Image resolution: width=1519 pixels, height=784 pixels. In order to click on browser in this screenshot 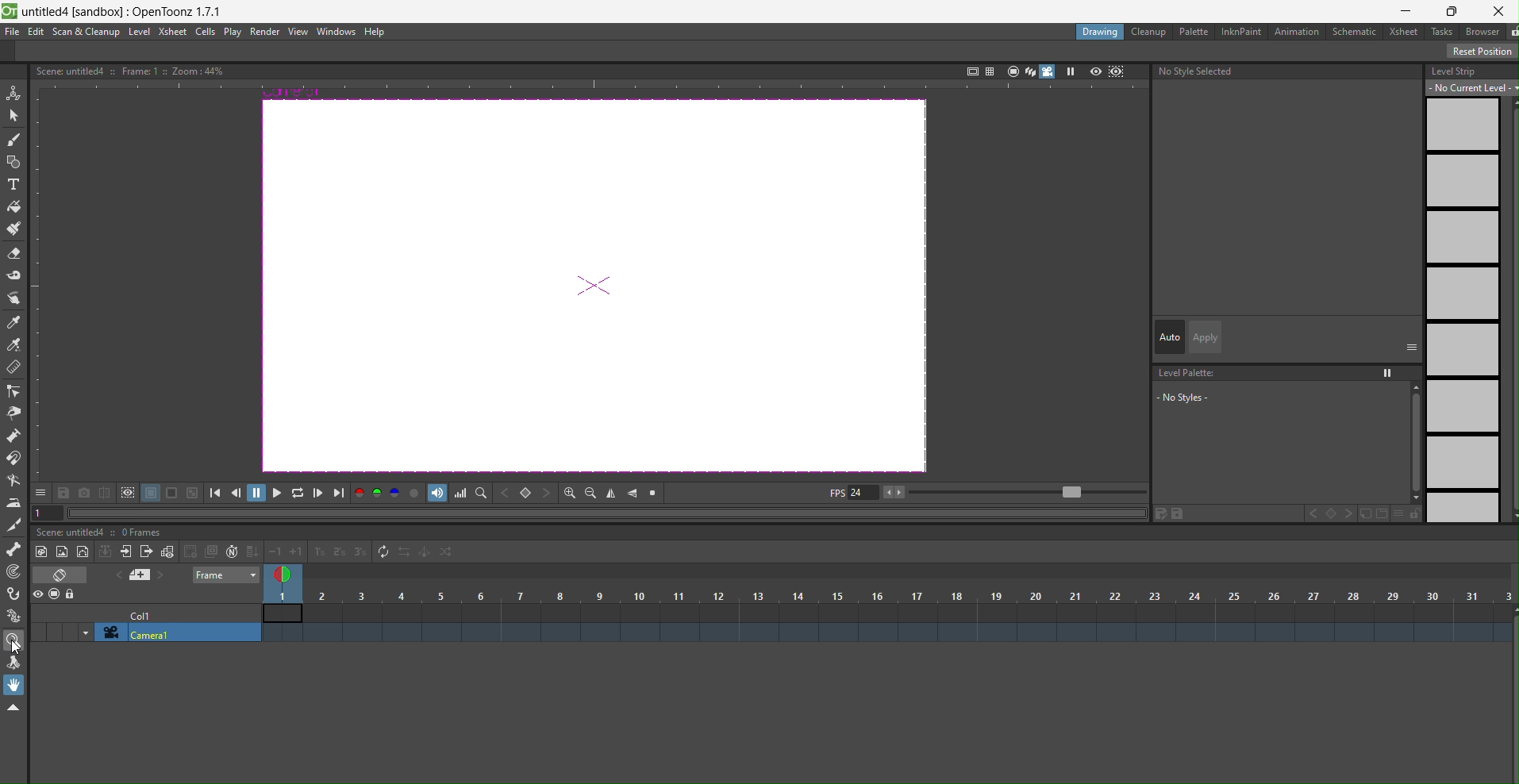, I will do `click(1484, 33)`.